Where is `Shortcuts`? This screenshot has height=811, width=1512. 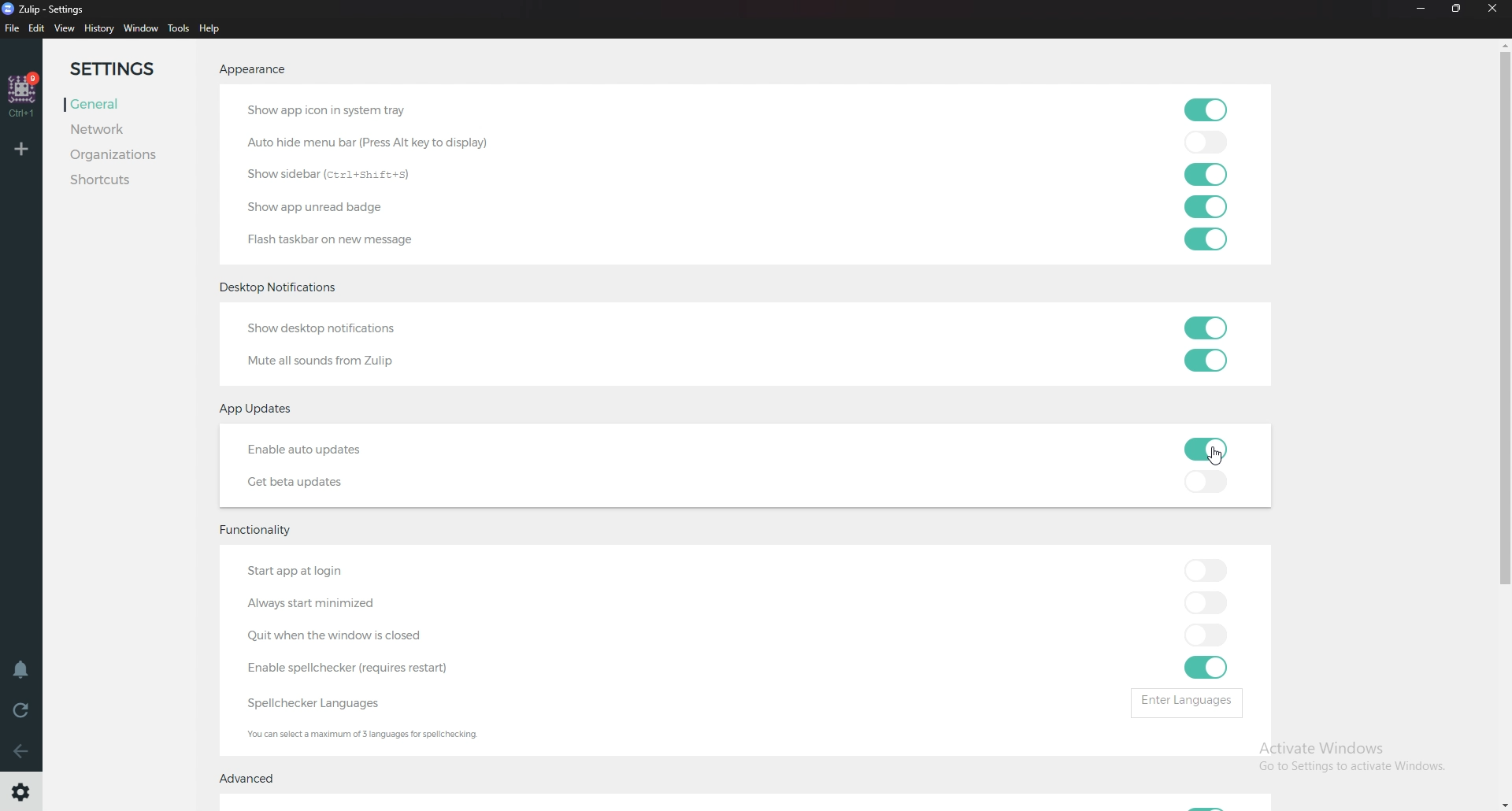
Shortcuts is located at coordinates (128, 181).